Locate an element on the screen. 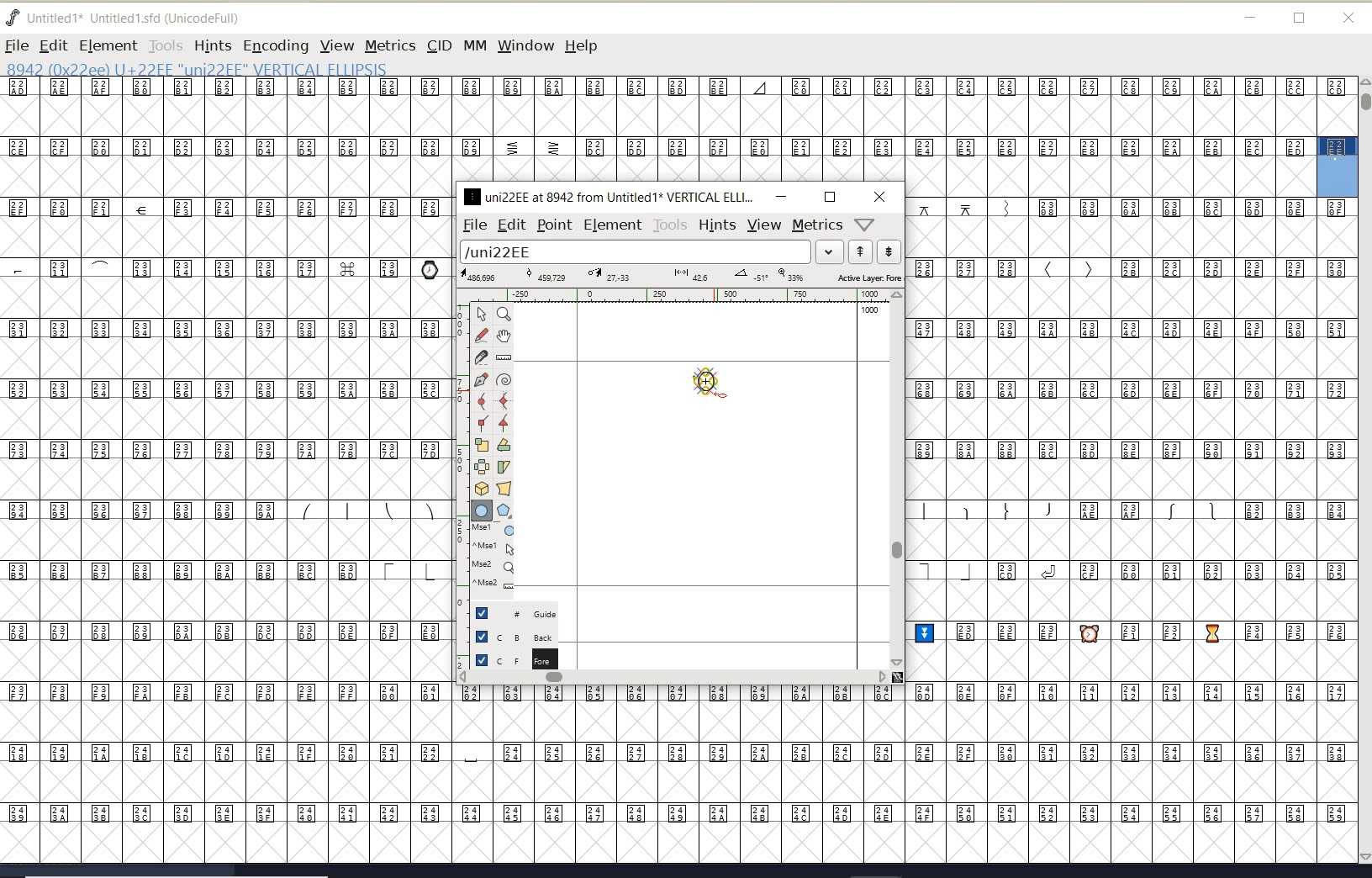 The width and height of the screenshot is (1372, 878). untitled1* Untitled 1.sfd (UnicodeFull) is located at coordinates (141, 16).